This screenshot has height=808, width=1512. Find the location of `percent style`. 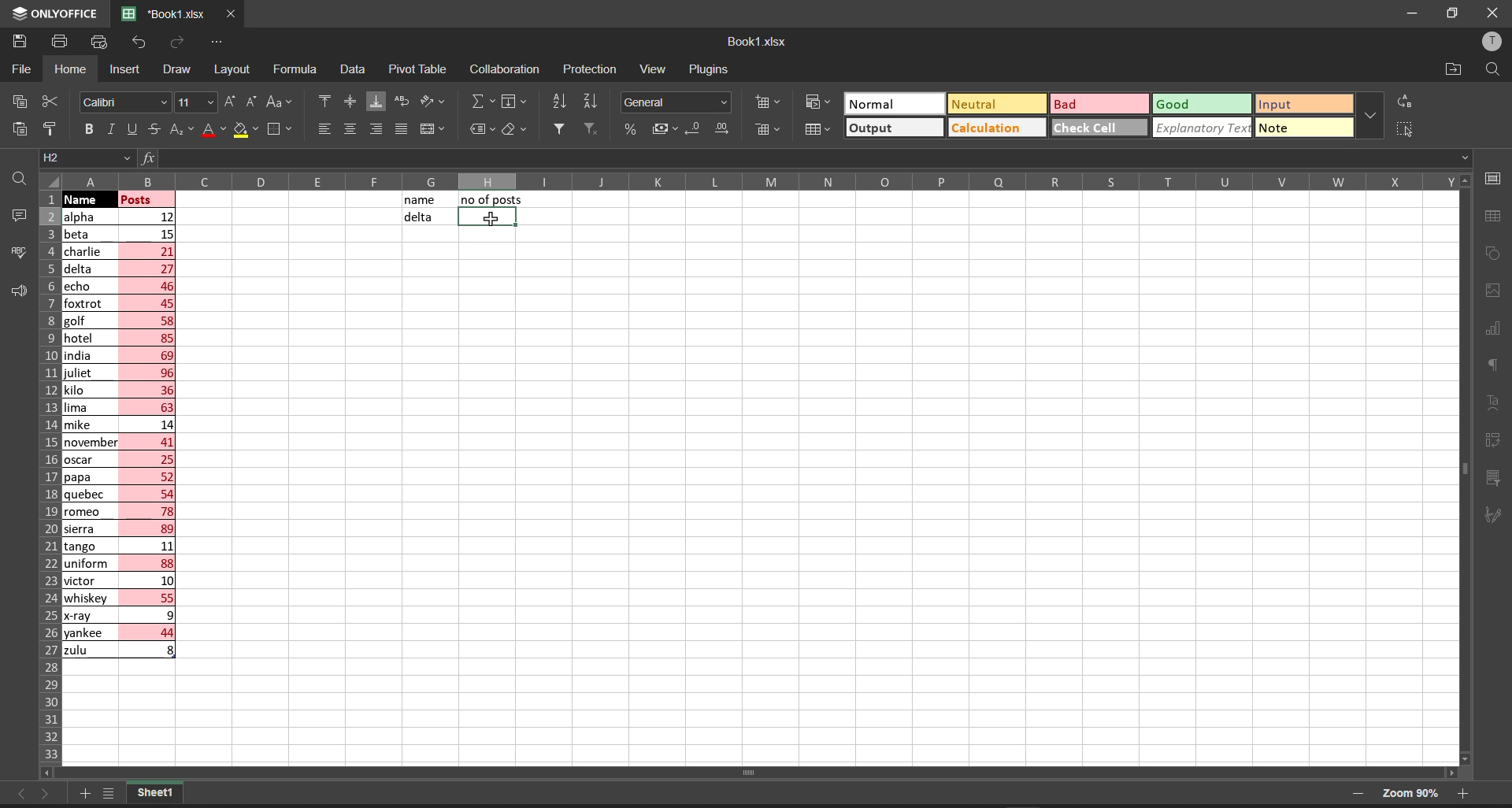

percent style is located at coordinates (628, 131).